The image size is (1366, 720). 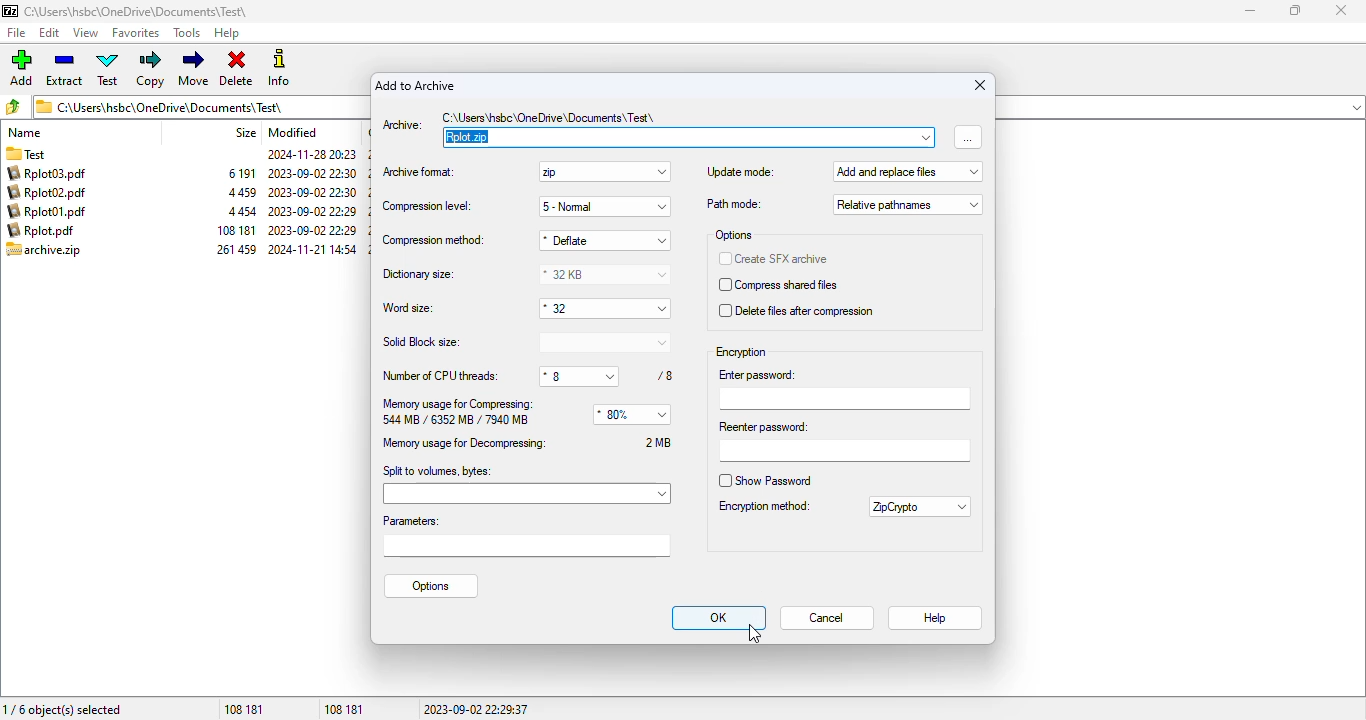 I want to click on current folder, so click(x=137, y=11).